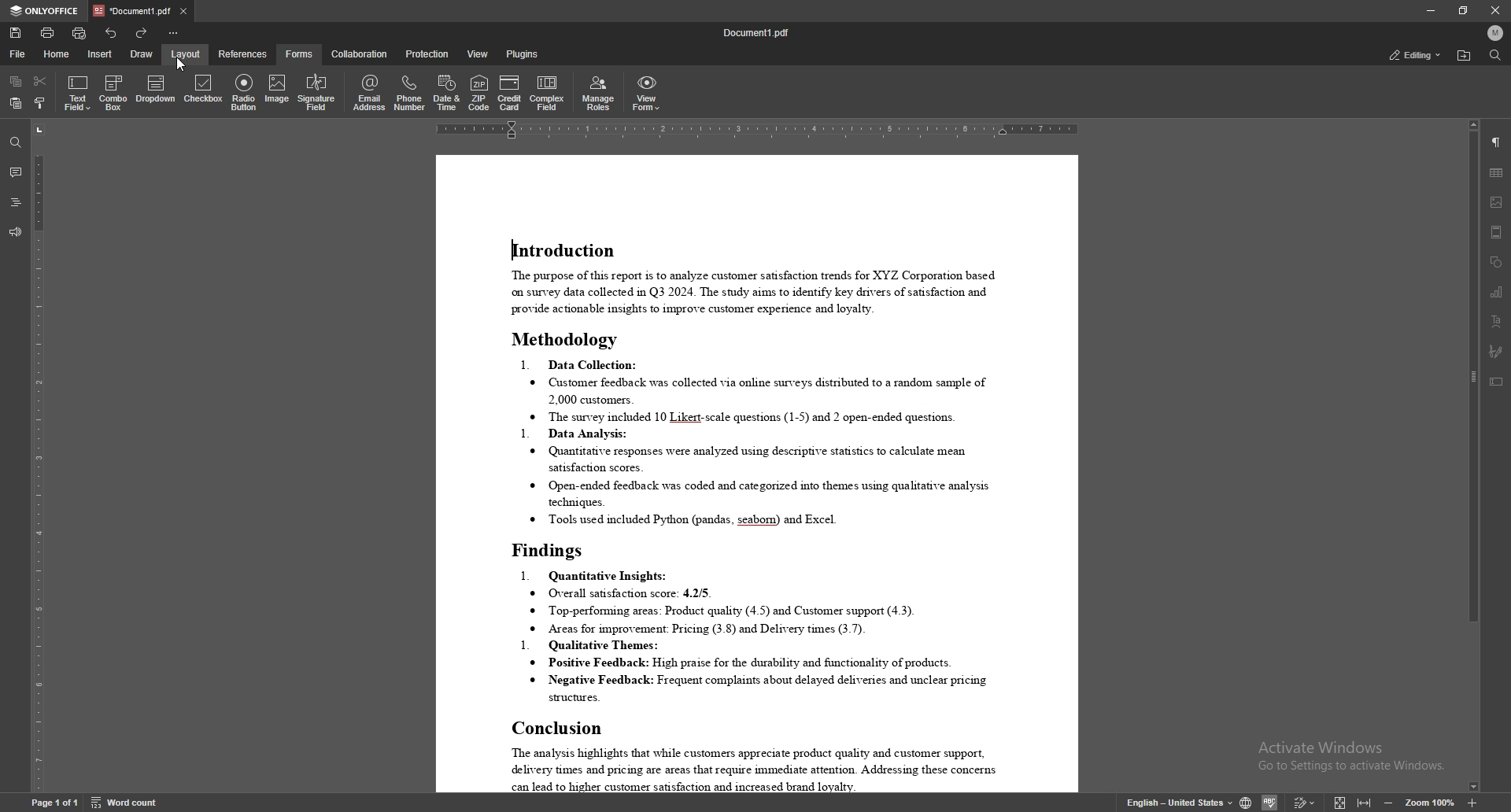 The width and height of the screenshot is (1511, 812). I want to click on layout, so click(187, 54).